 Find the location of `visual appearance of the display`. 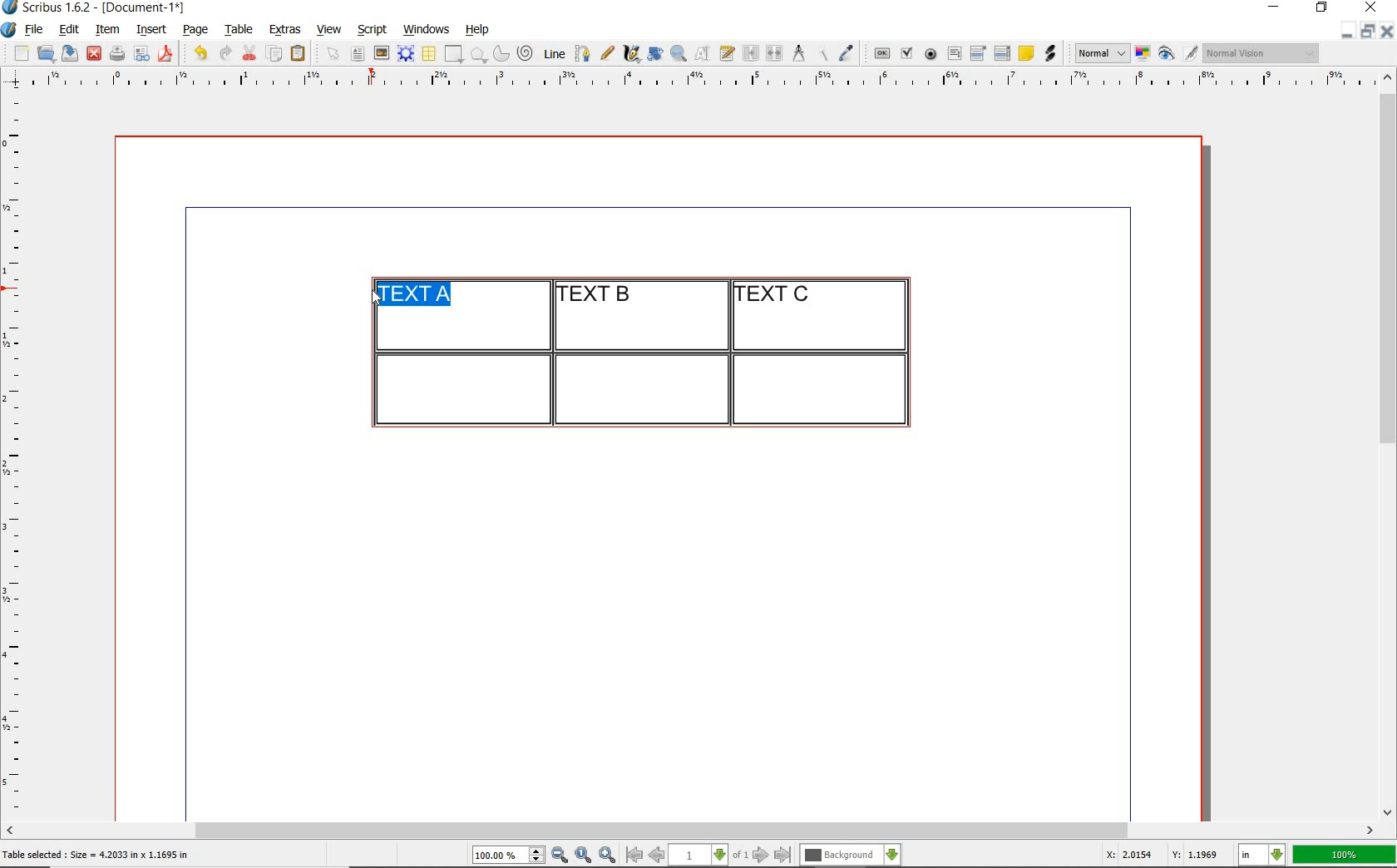

visual appearance of the display is located at coordinates (1262, 53).